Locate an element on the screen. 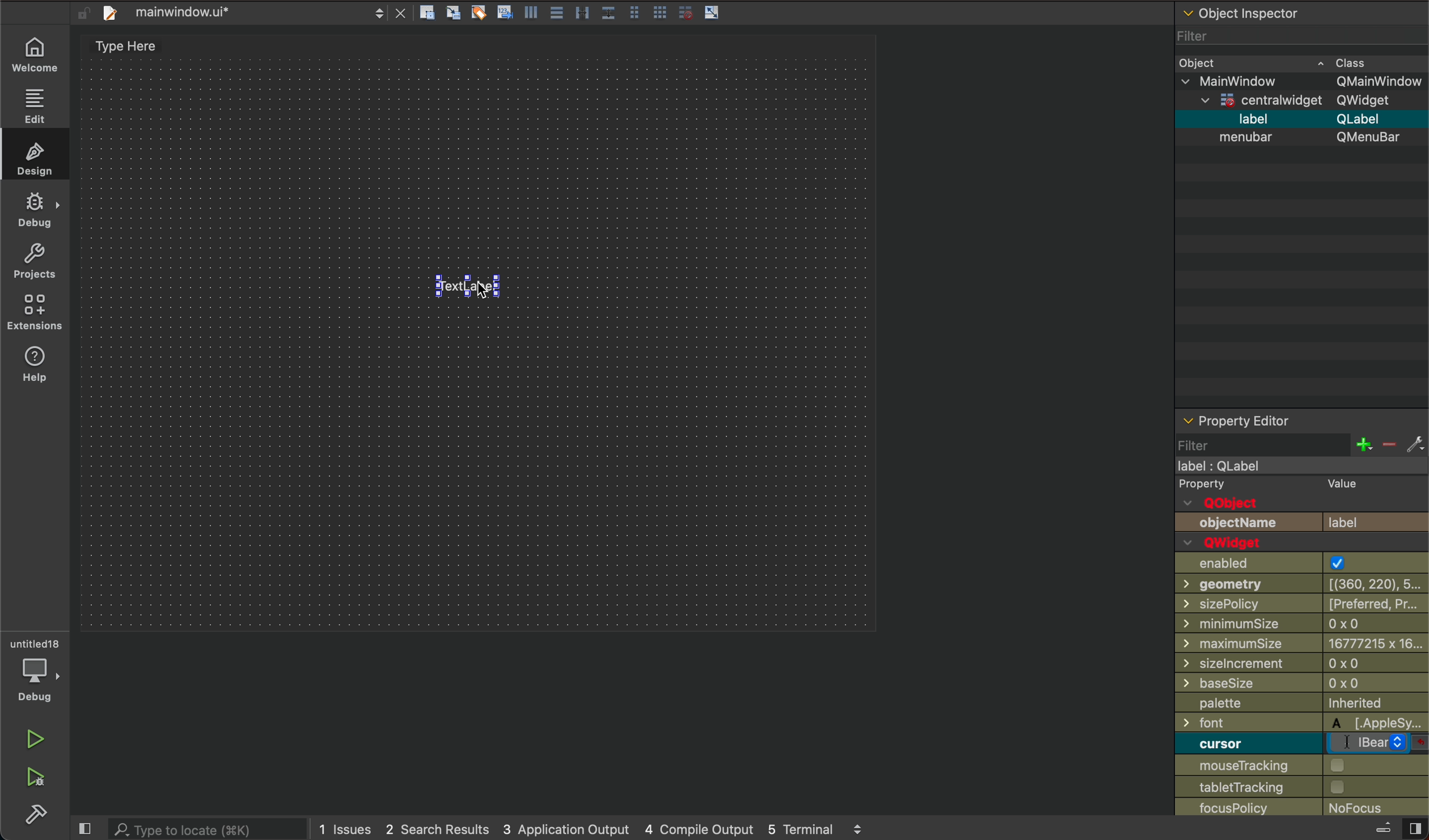 Image resolution: width=1429 pixels, height=840 pixels. label is located at coordinates (1255, 118).